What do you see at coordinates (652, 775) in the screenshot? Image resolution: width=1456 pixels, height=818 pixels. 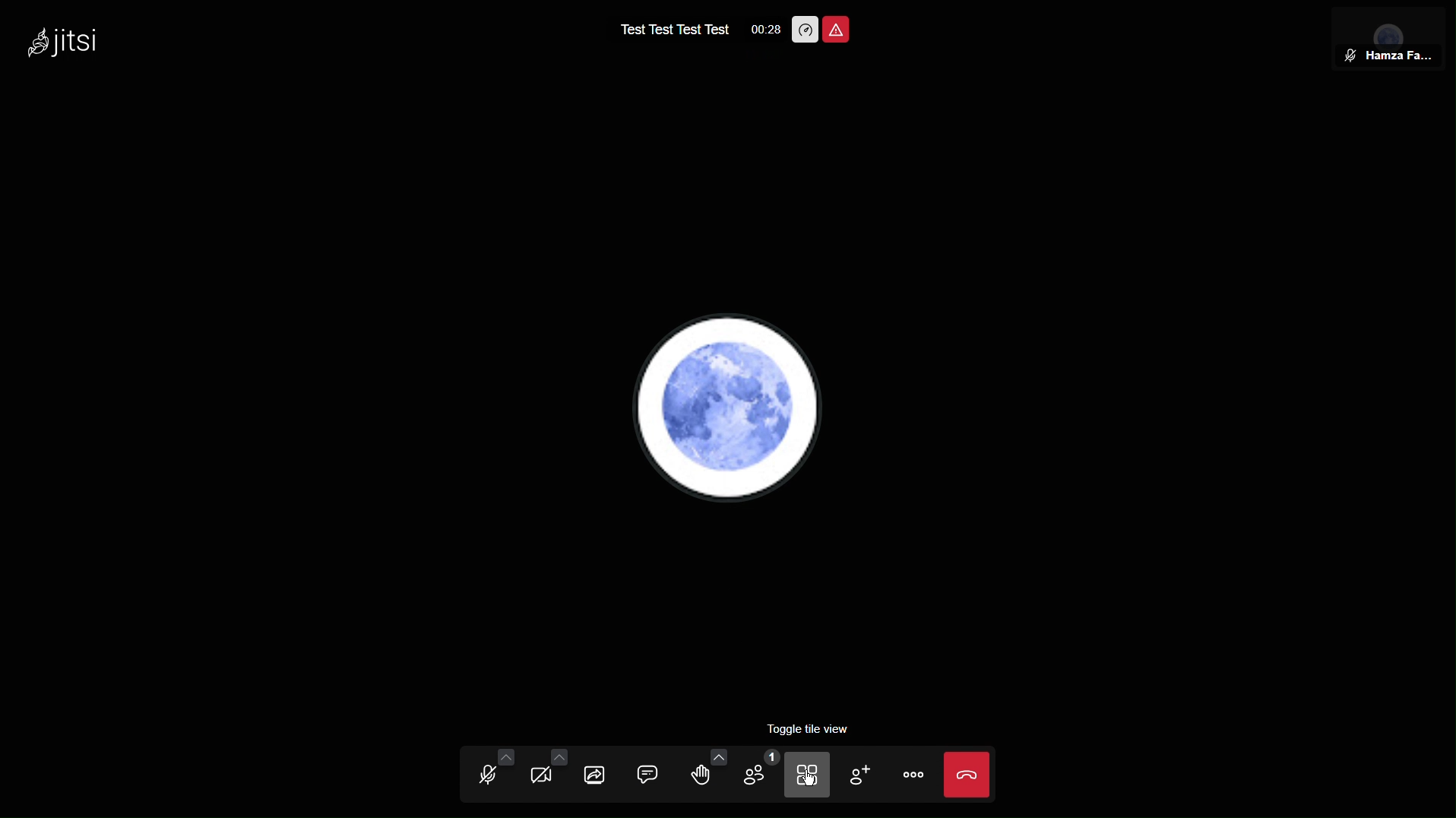 I see `Chat` at bounding box center [652, 775].